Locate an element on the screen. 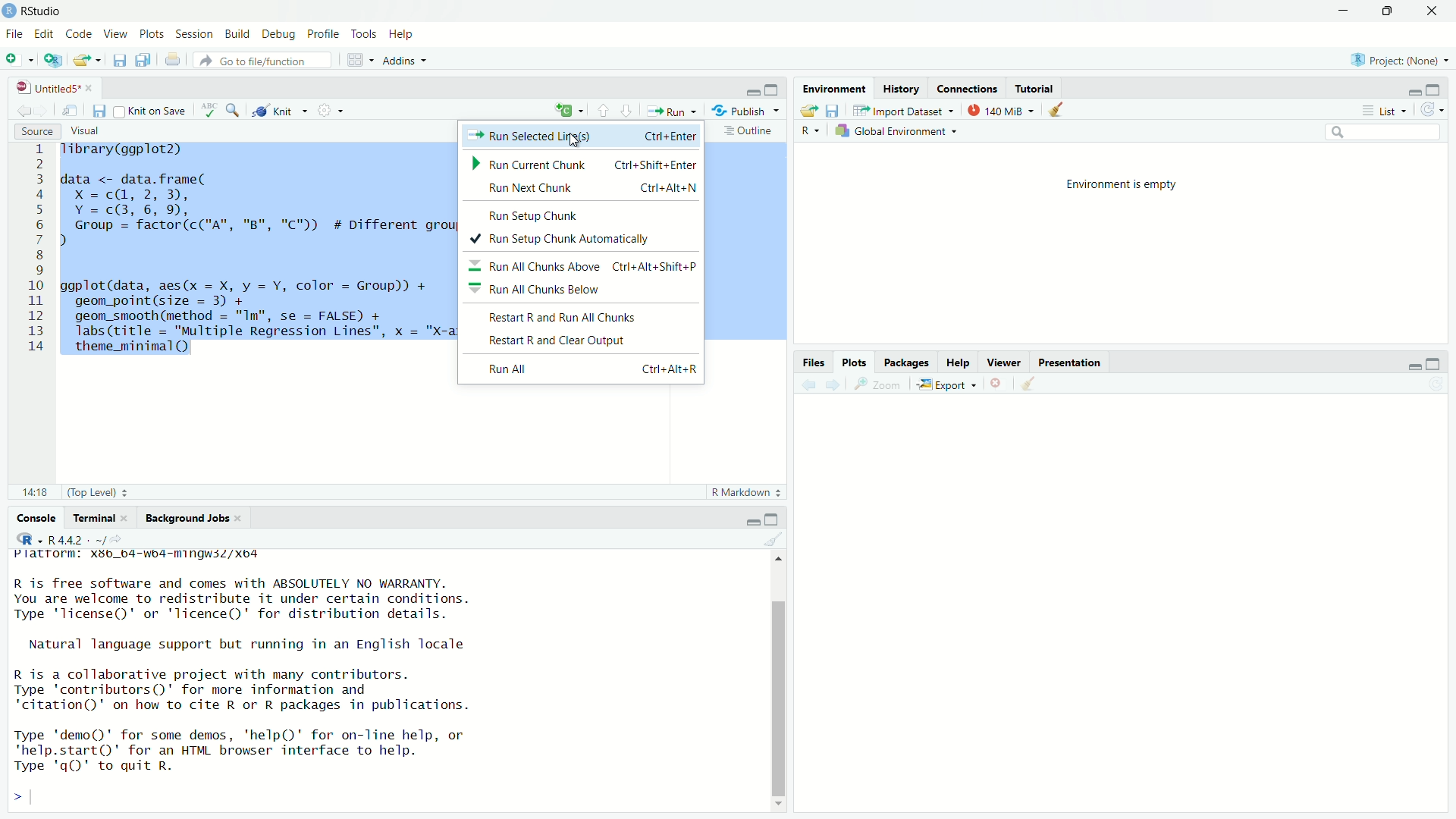  add is located at coordinates (570, 109).